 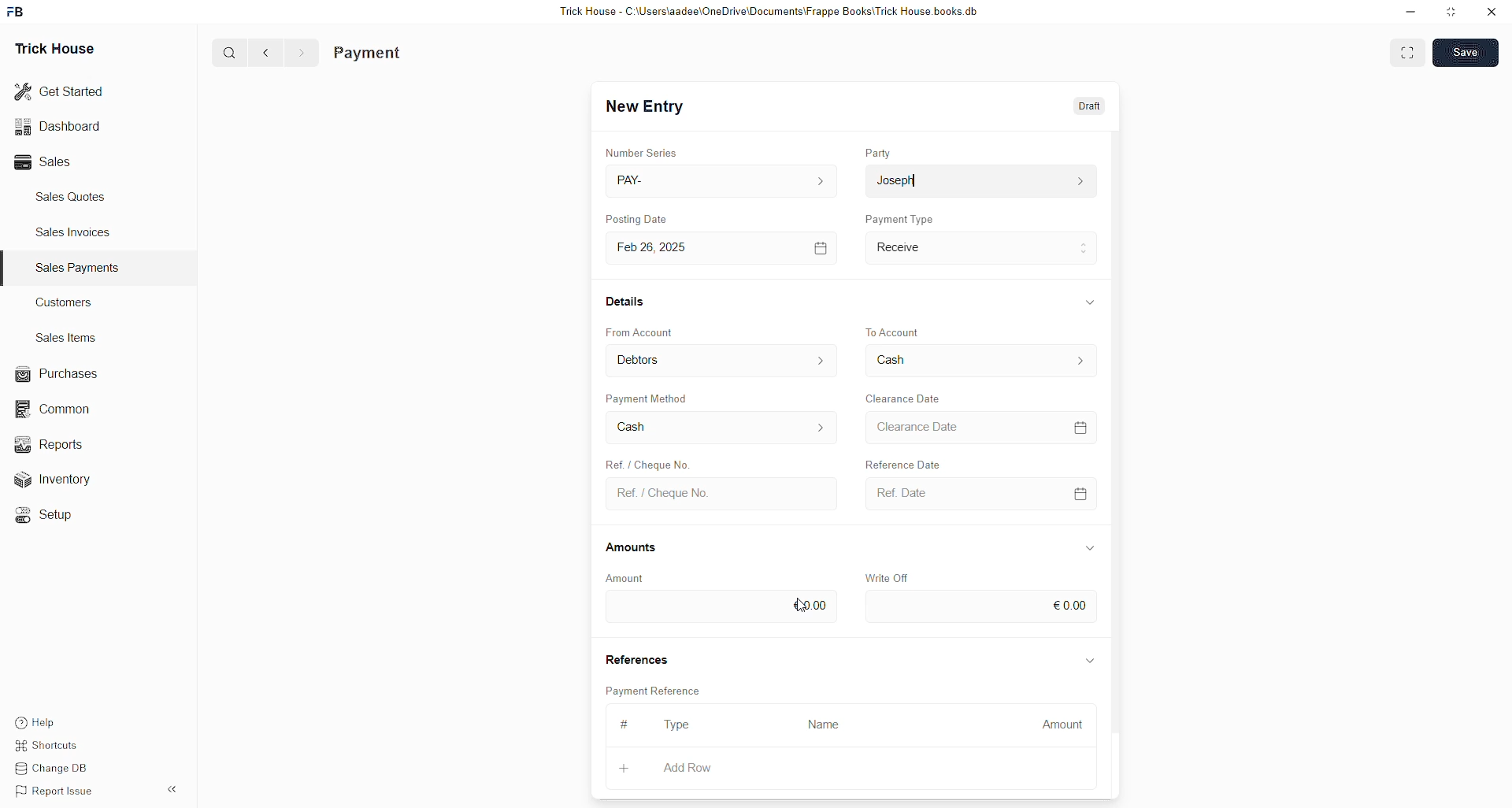 I want to click on Amount, so click(x=626, y=579).